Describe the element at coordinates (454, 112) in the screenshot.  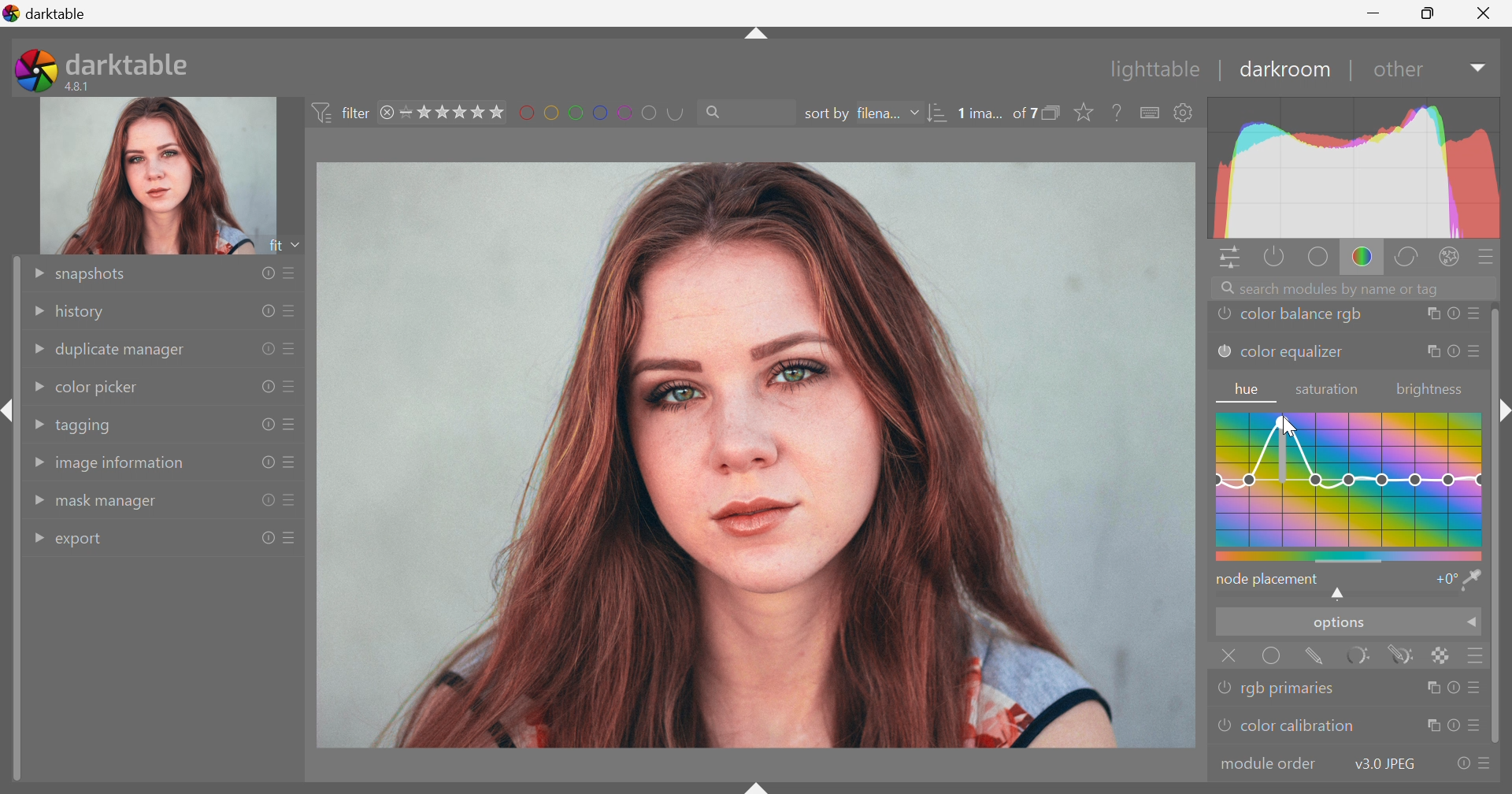
I see `range rating` at that location.